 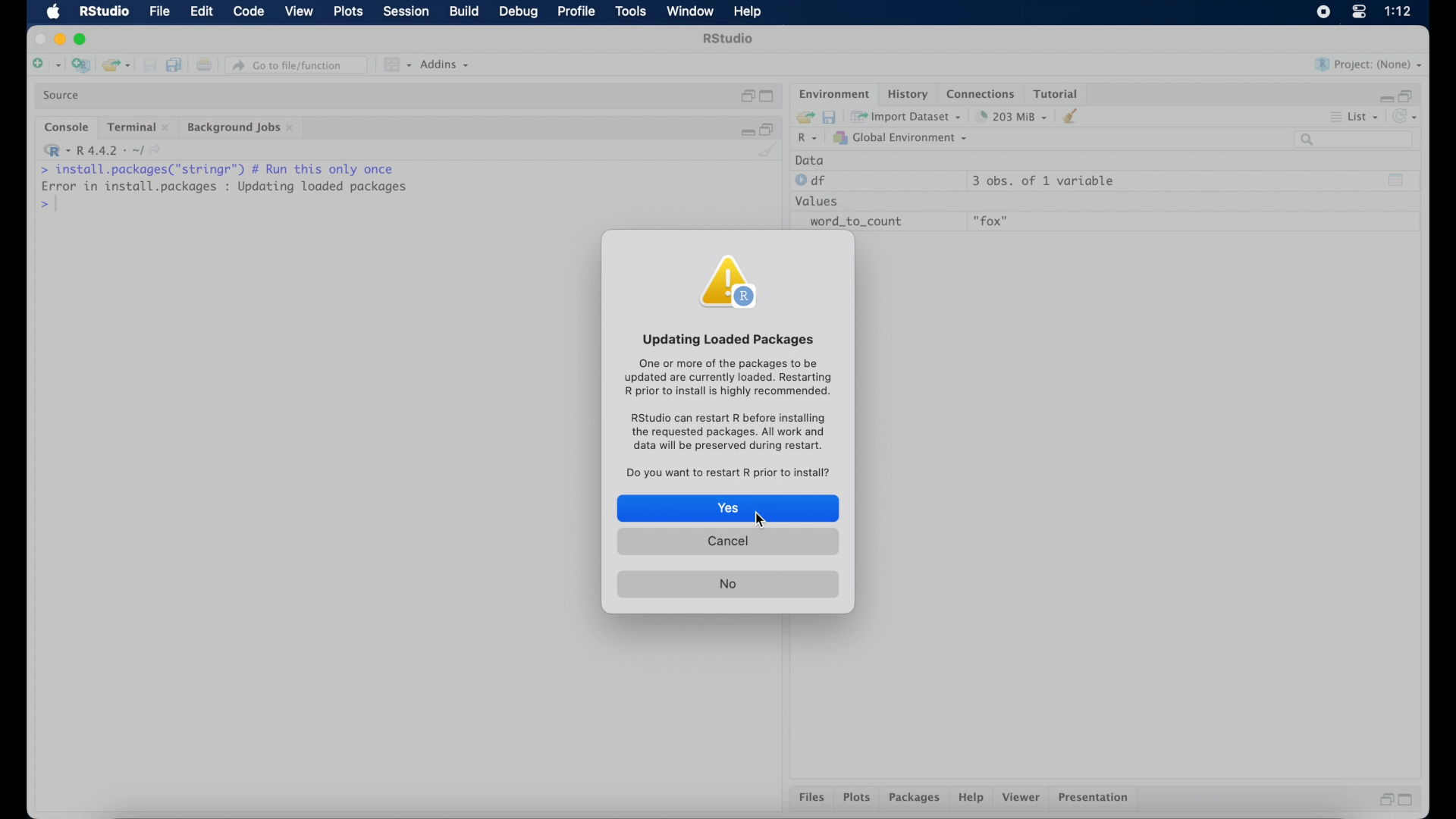 I want to click on maximize, so click(x=1409, y=800).